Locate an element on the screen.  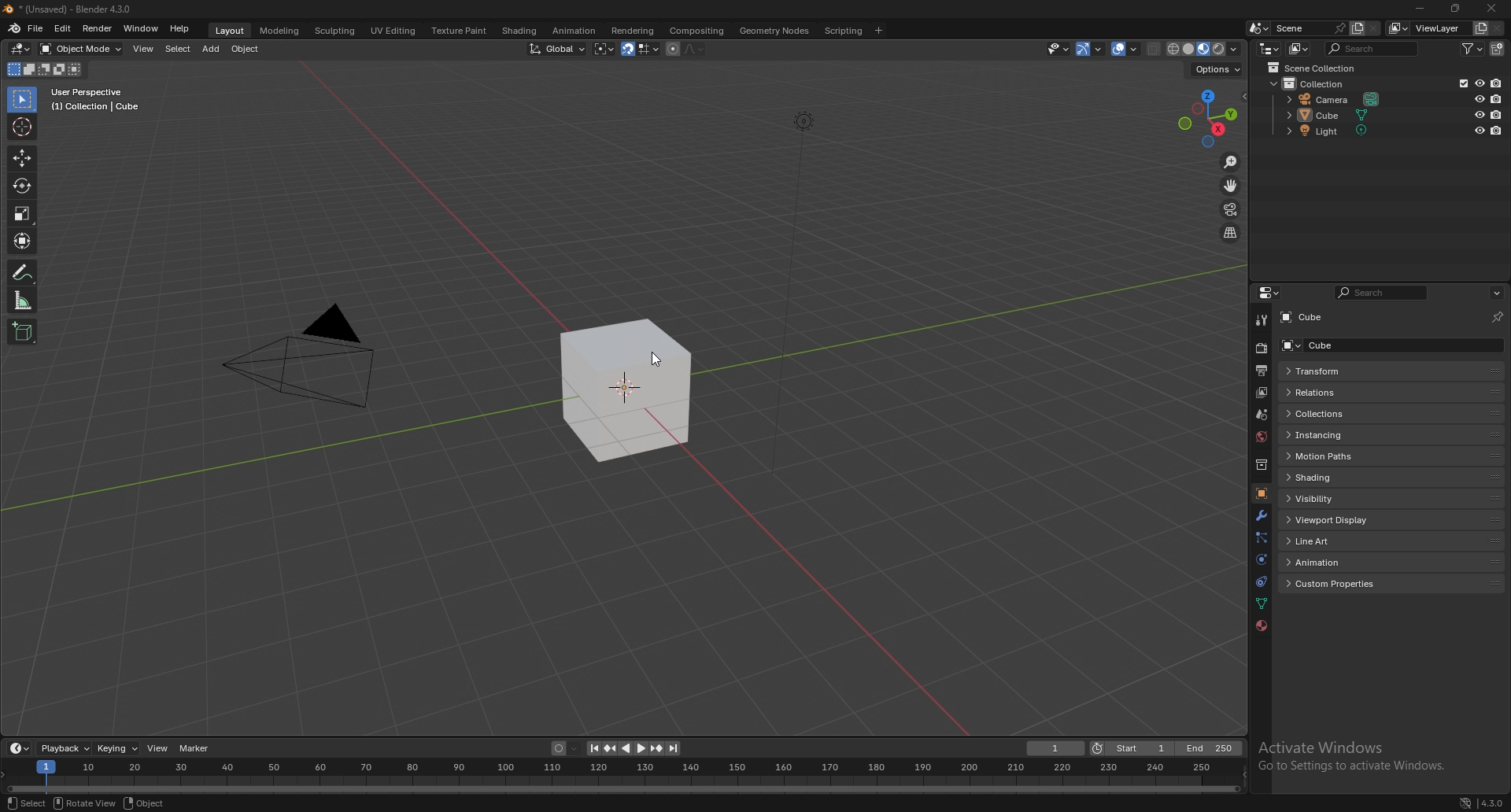
uv editing is located at coordinates (392, 30).